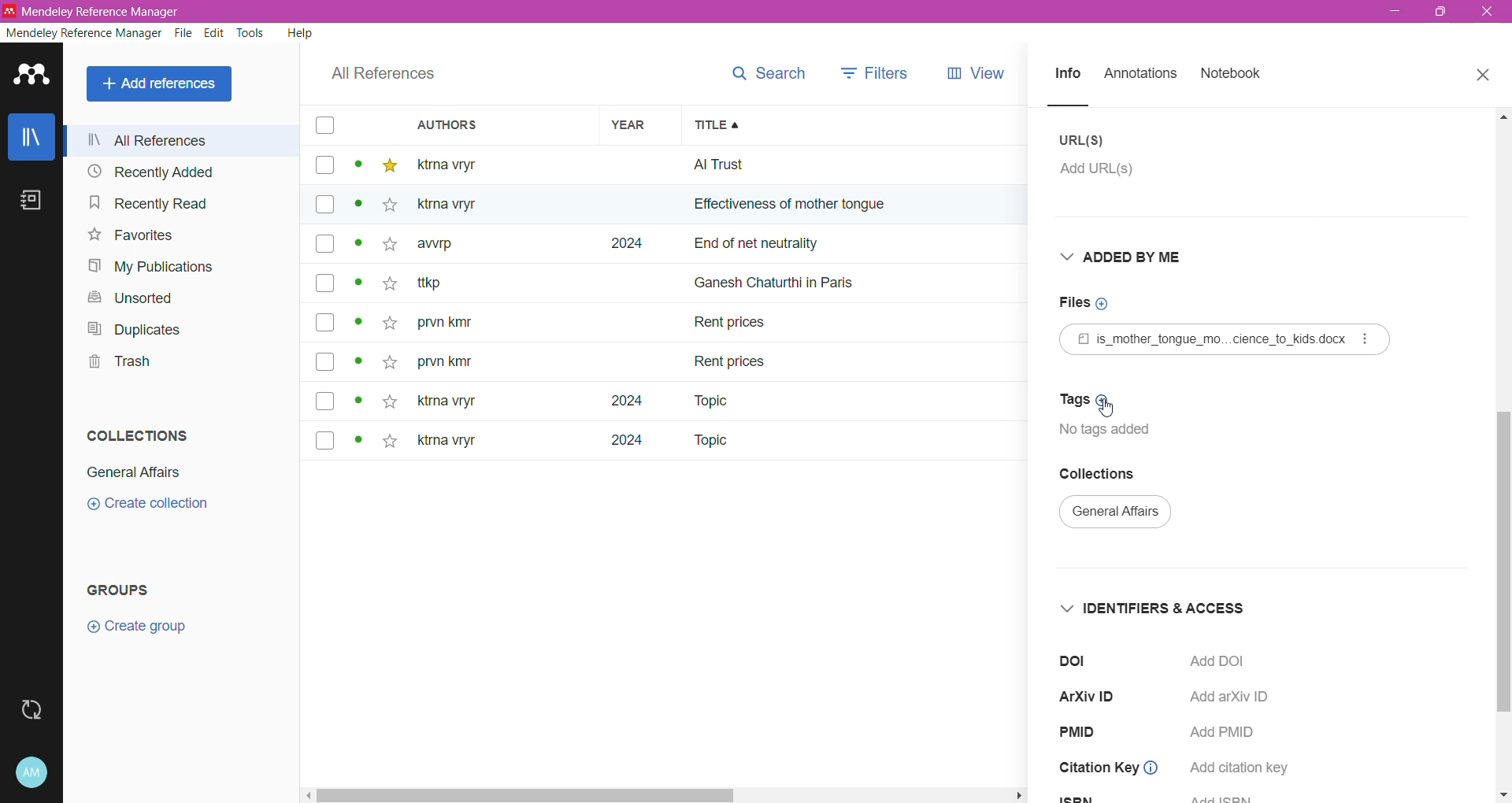 Image resolution: width=1512 pixels, height=803 pixels. I want to click on star, so click(386, 208).